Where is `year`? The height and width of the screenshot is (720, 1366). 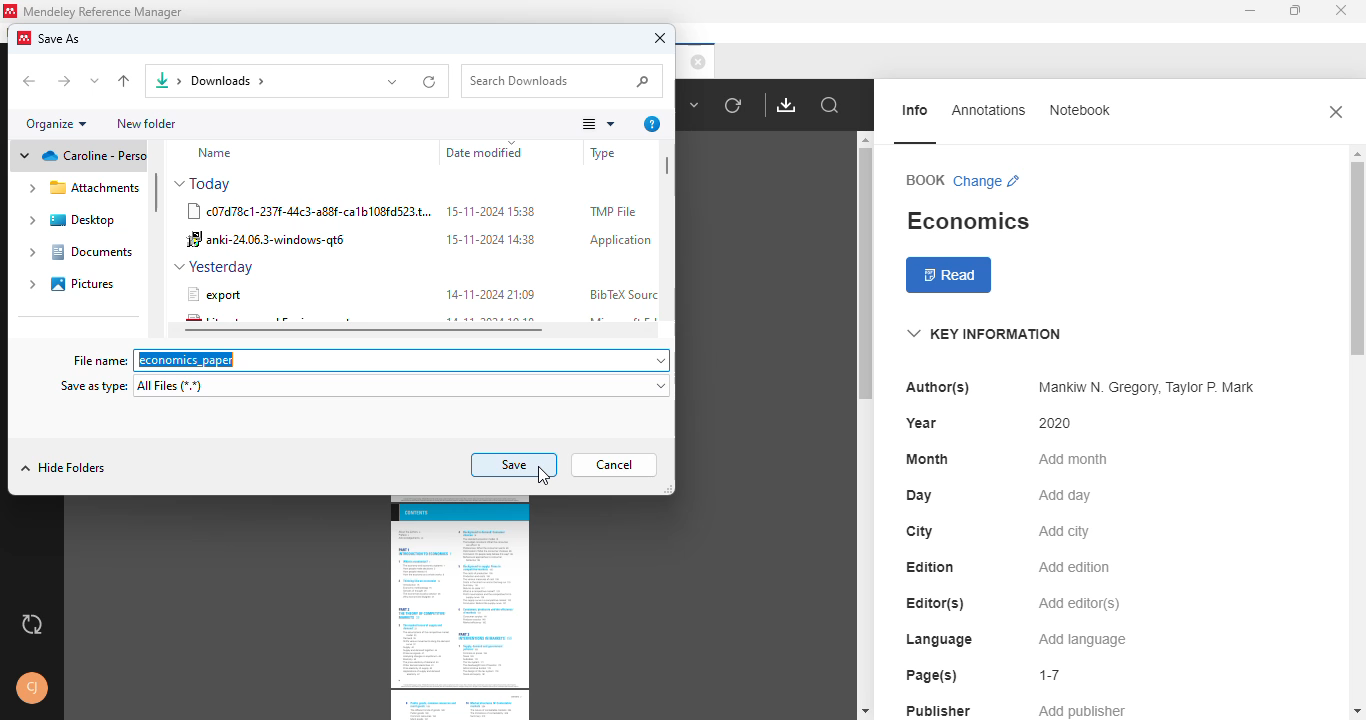
year is located at coordinates (921, 423).